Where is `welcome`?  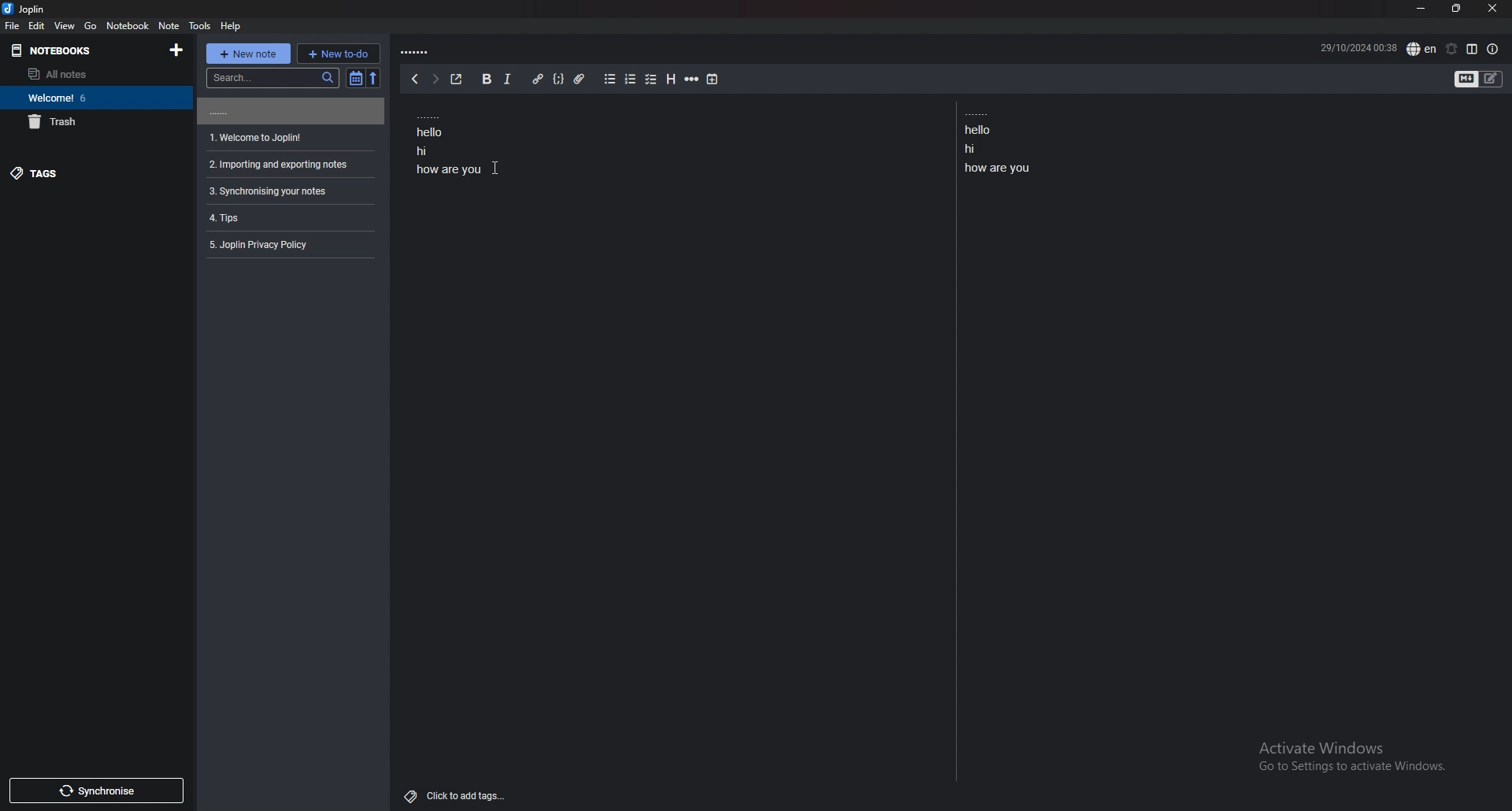 welcome is located at coordinates (94, 98).